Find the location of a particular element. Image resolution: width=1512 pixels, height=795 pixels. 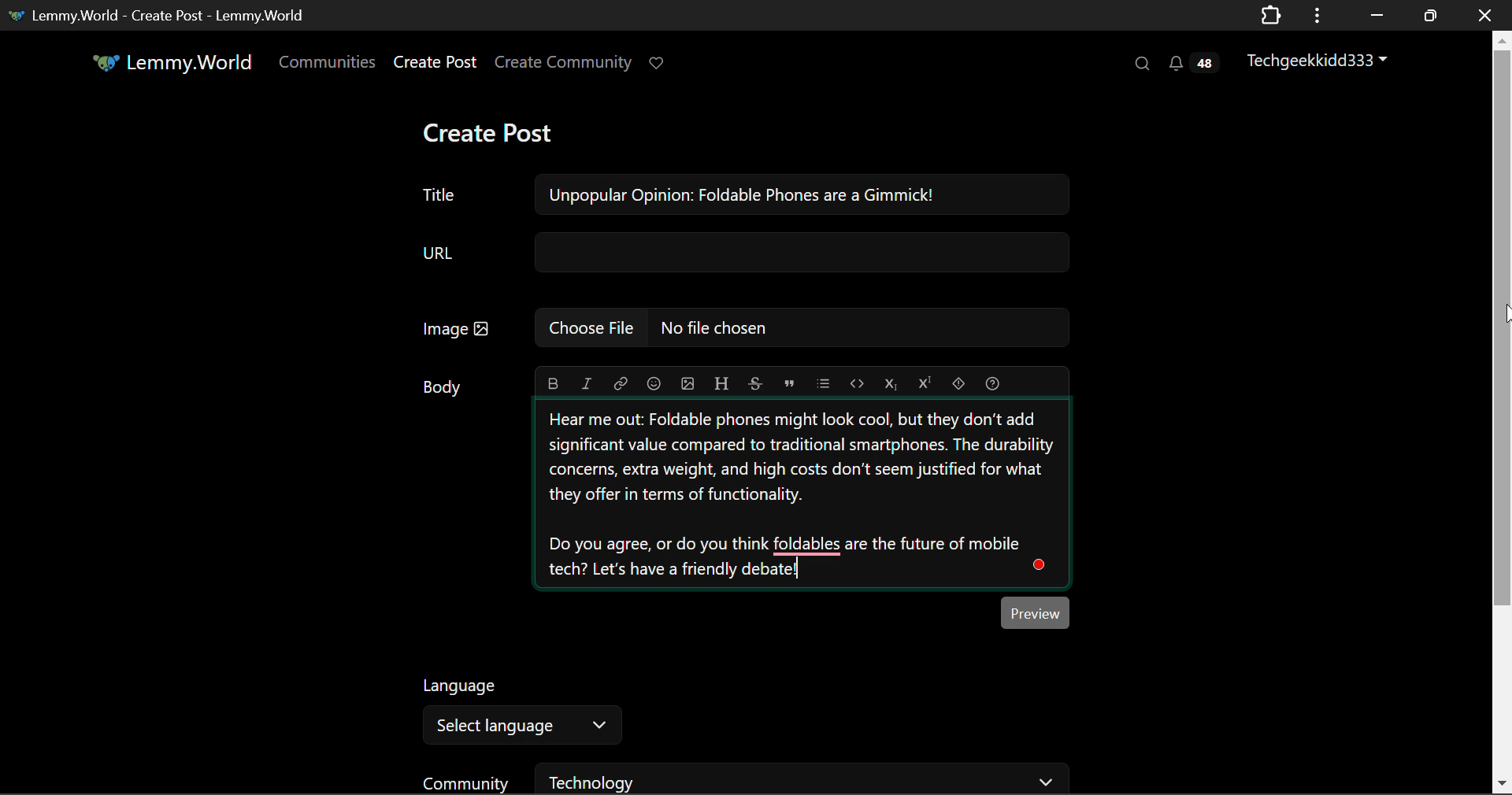

formatting help is located at coordinates (991, 381).